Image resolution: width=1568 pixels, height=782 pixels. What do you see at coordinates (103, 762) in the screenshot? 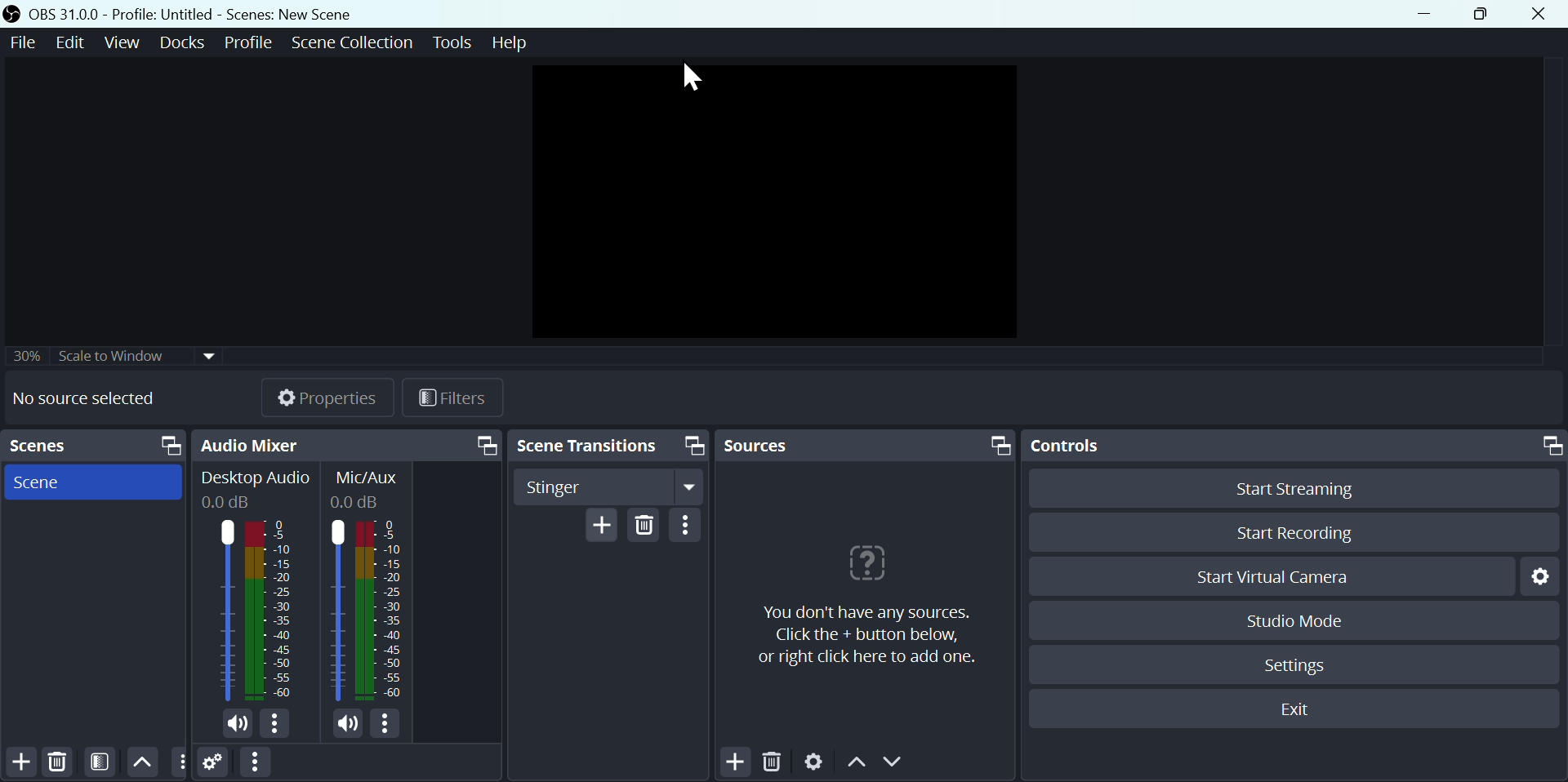
I see `Filter` at bounding box center [103, 762].